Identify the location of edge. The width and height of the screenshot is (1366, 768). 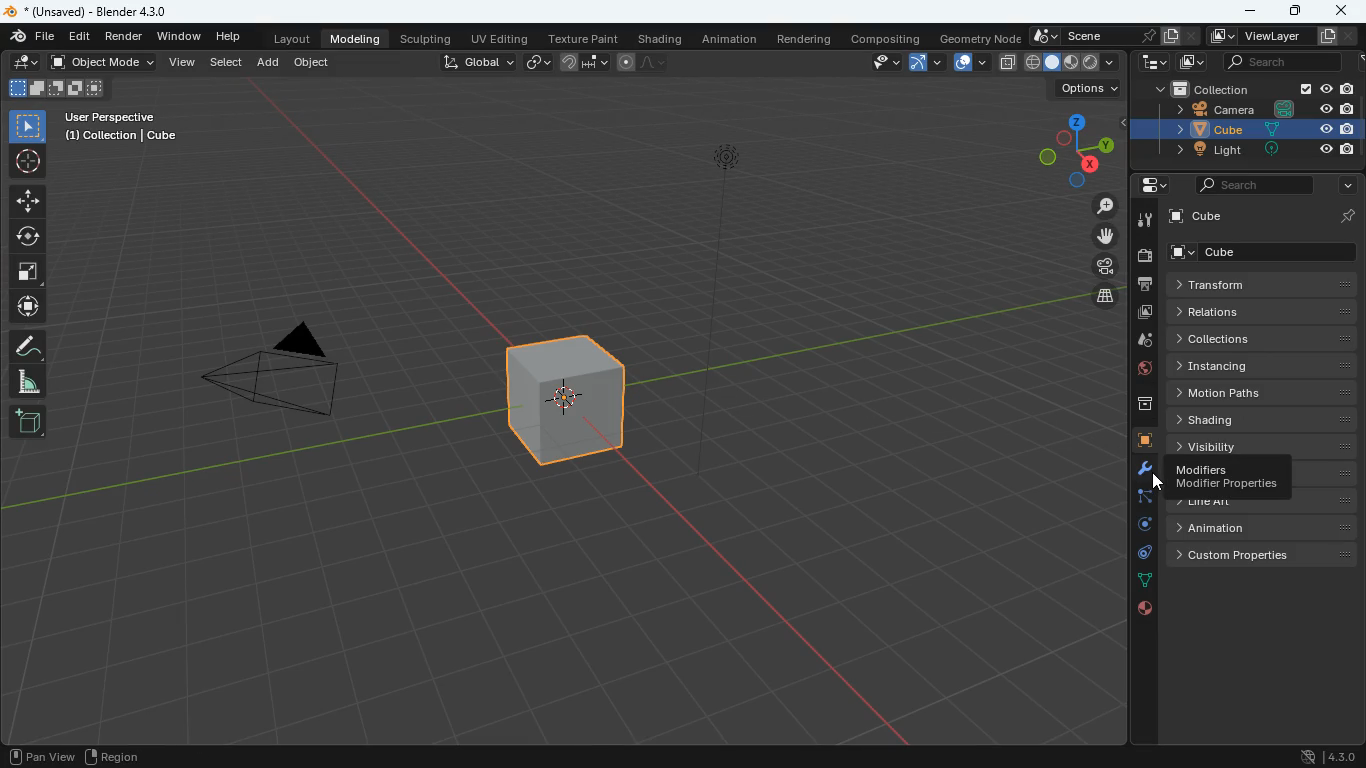
(1138, 498).